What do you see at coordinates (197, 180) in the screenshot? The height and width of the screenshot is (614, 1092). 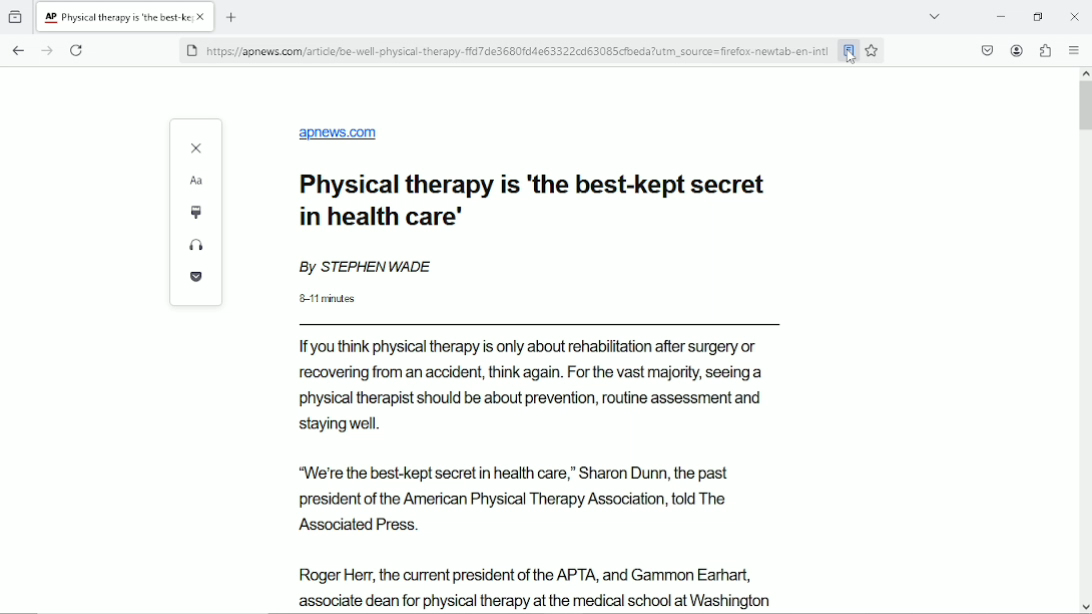 I see `text and layout` at bounding box center [197, 180].